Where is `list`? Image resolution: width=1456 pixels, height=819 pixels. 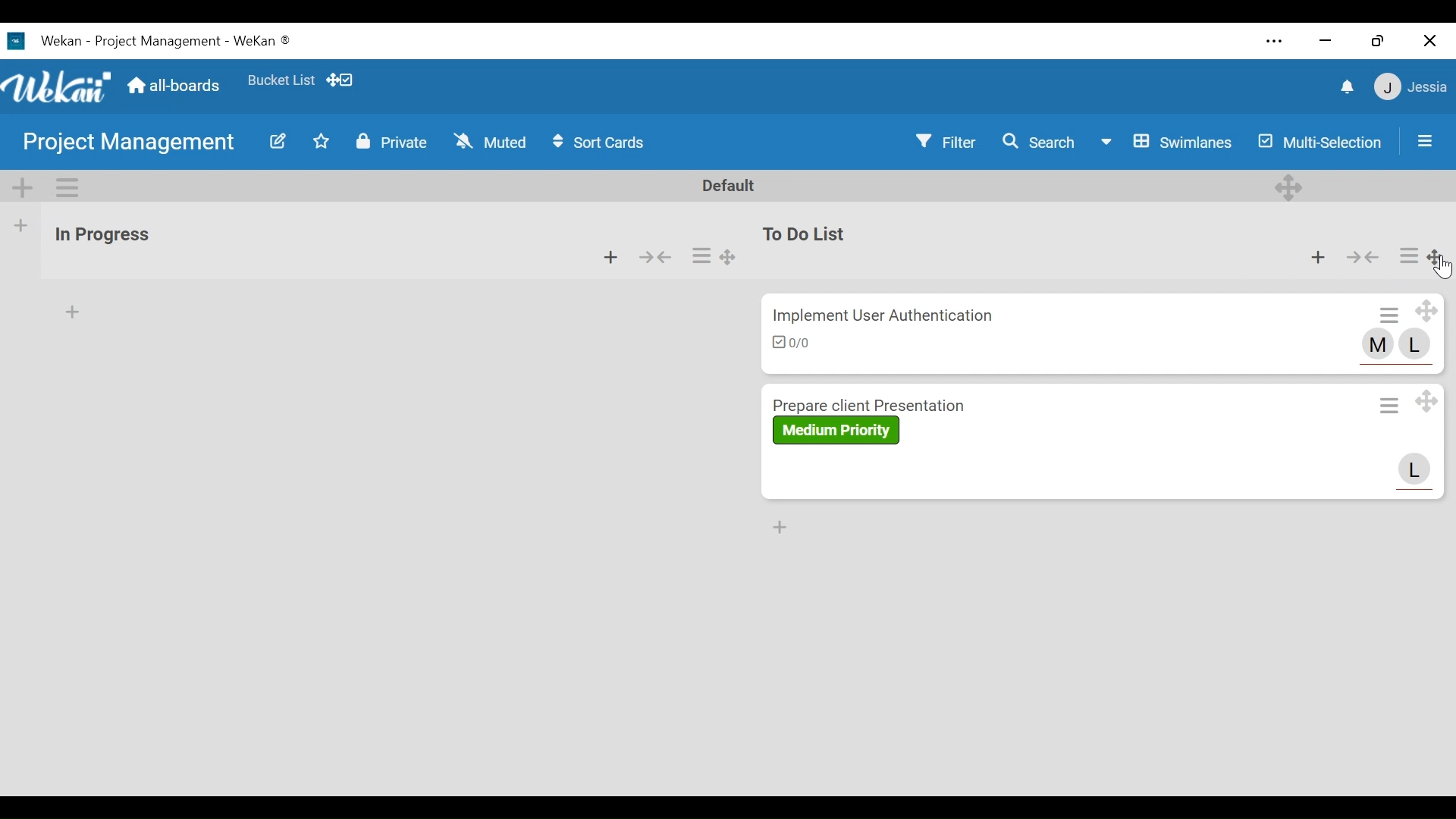 list is located at coordinates (968, 246).